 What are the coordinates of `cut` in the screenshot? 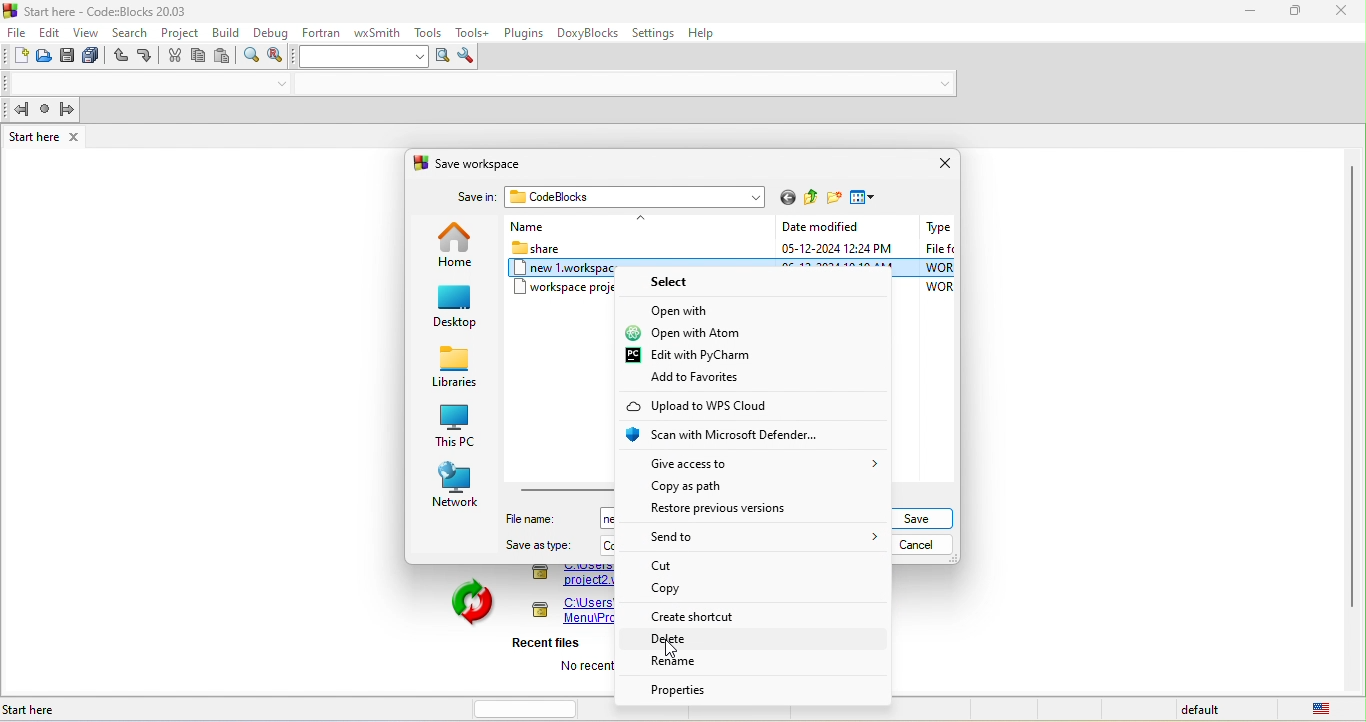 It's located at (678, 566).